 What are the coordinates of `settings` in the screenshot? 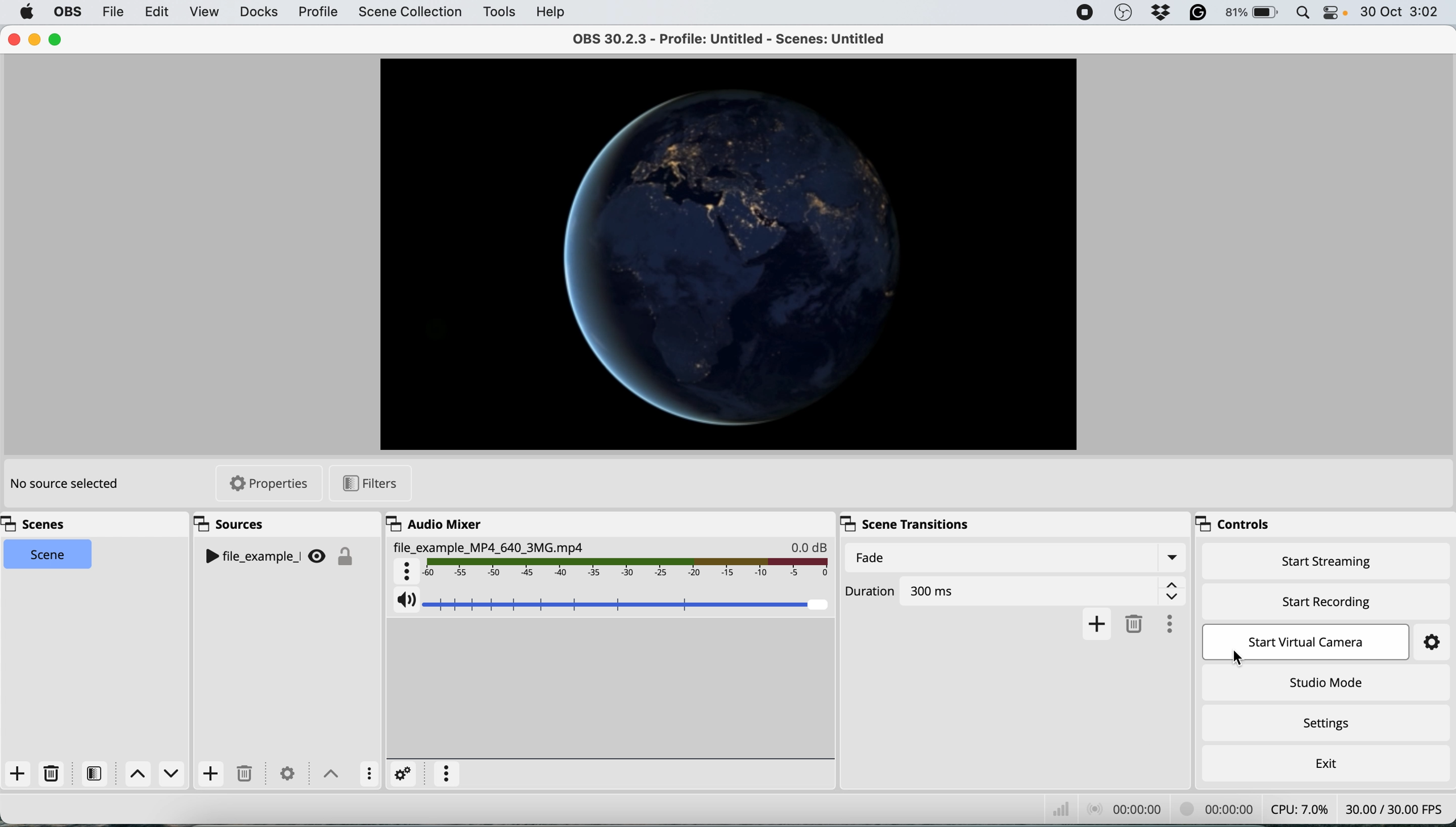 It's located at (290, 772).